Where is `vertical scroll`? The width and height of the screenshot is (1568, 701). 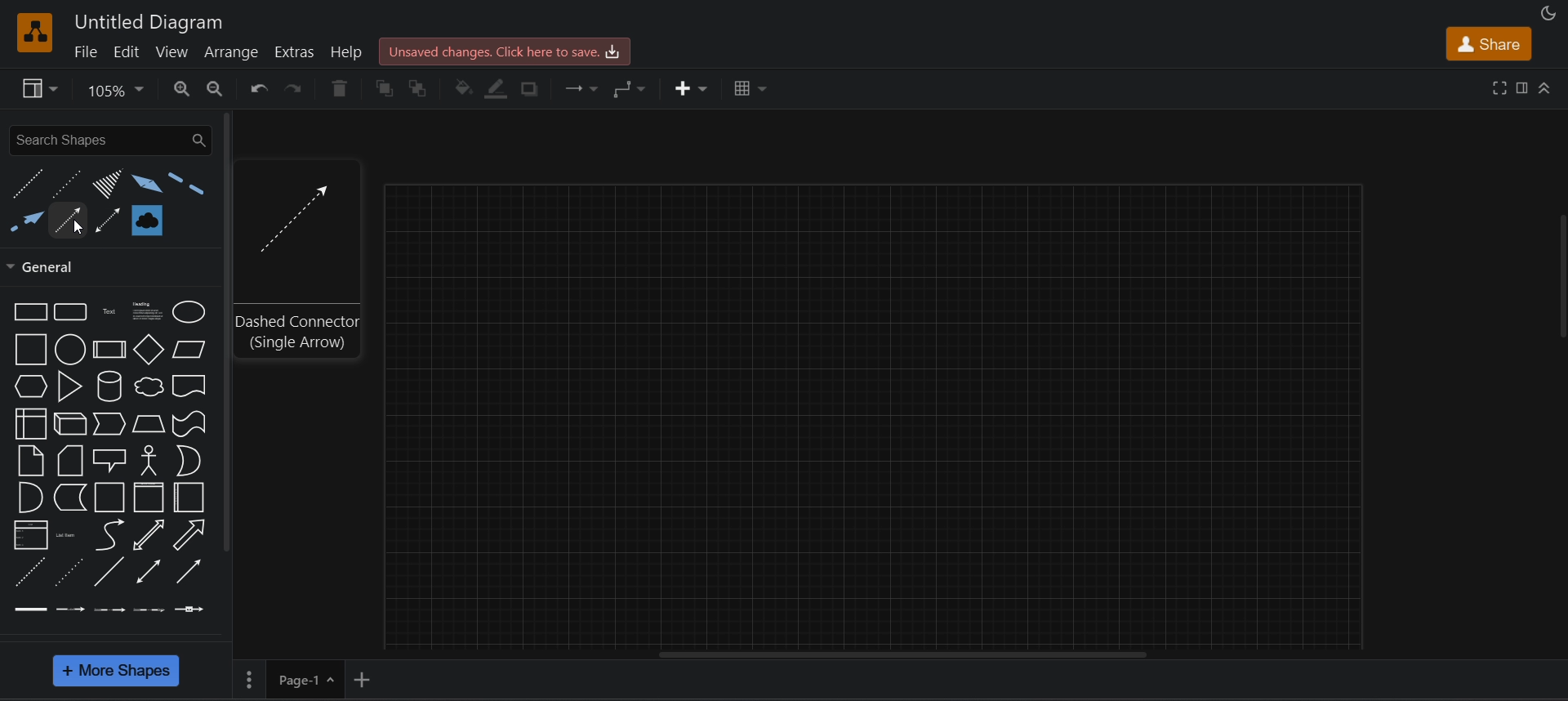
vertical scroll is located at coordinates (1560, 279).